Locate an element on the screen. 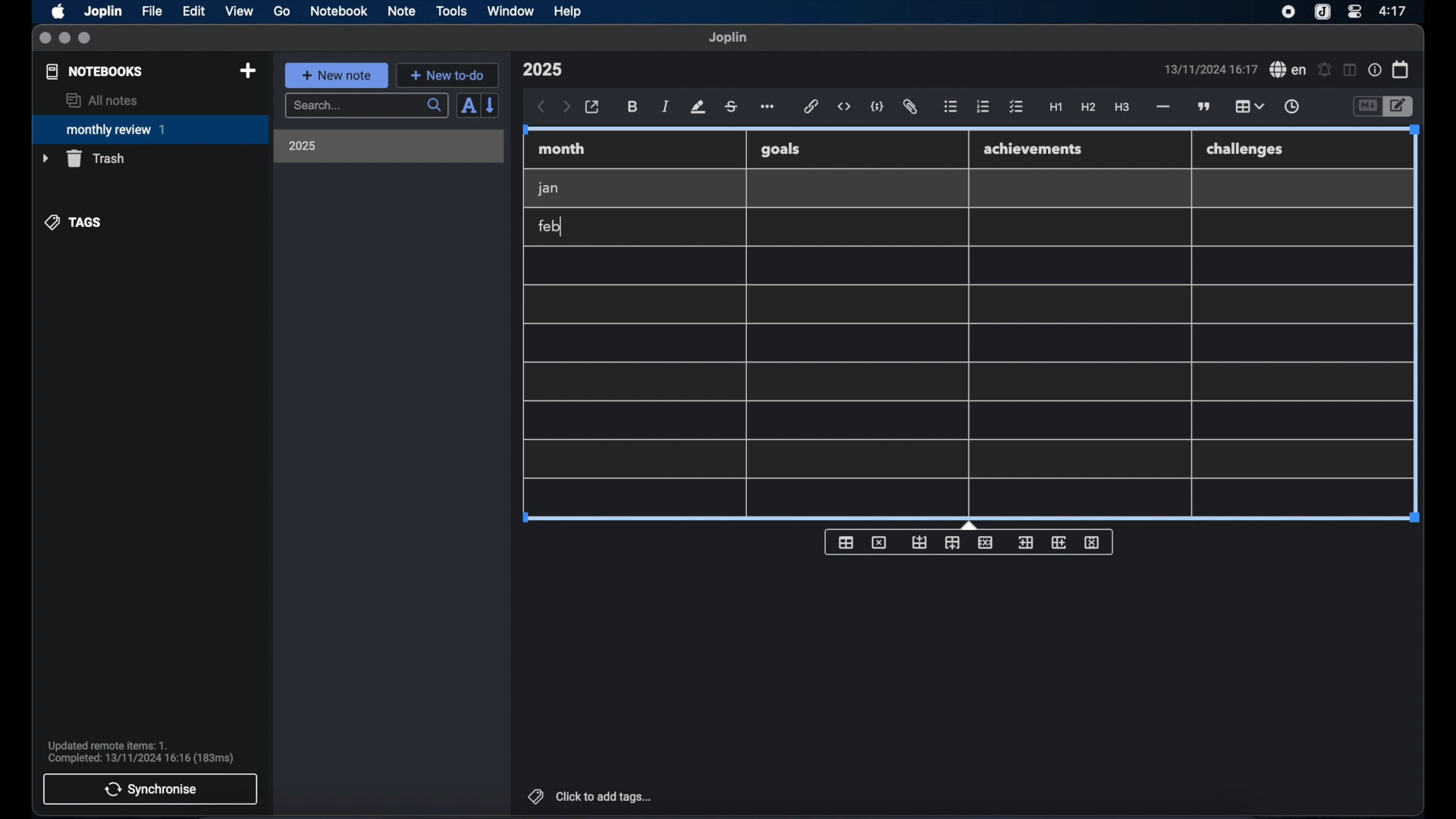  reverse sort order is located at coordinates (491, 105).